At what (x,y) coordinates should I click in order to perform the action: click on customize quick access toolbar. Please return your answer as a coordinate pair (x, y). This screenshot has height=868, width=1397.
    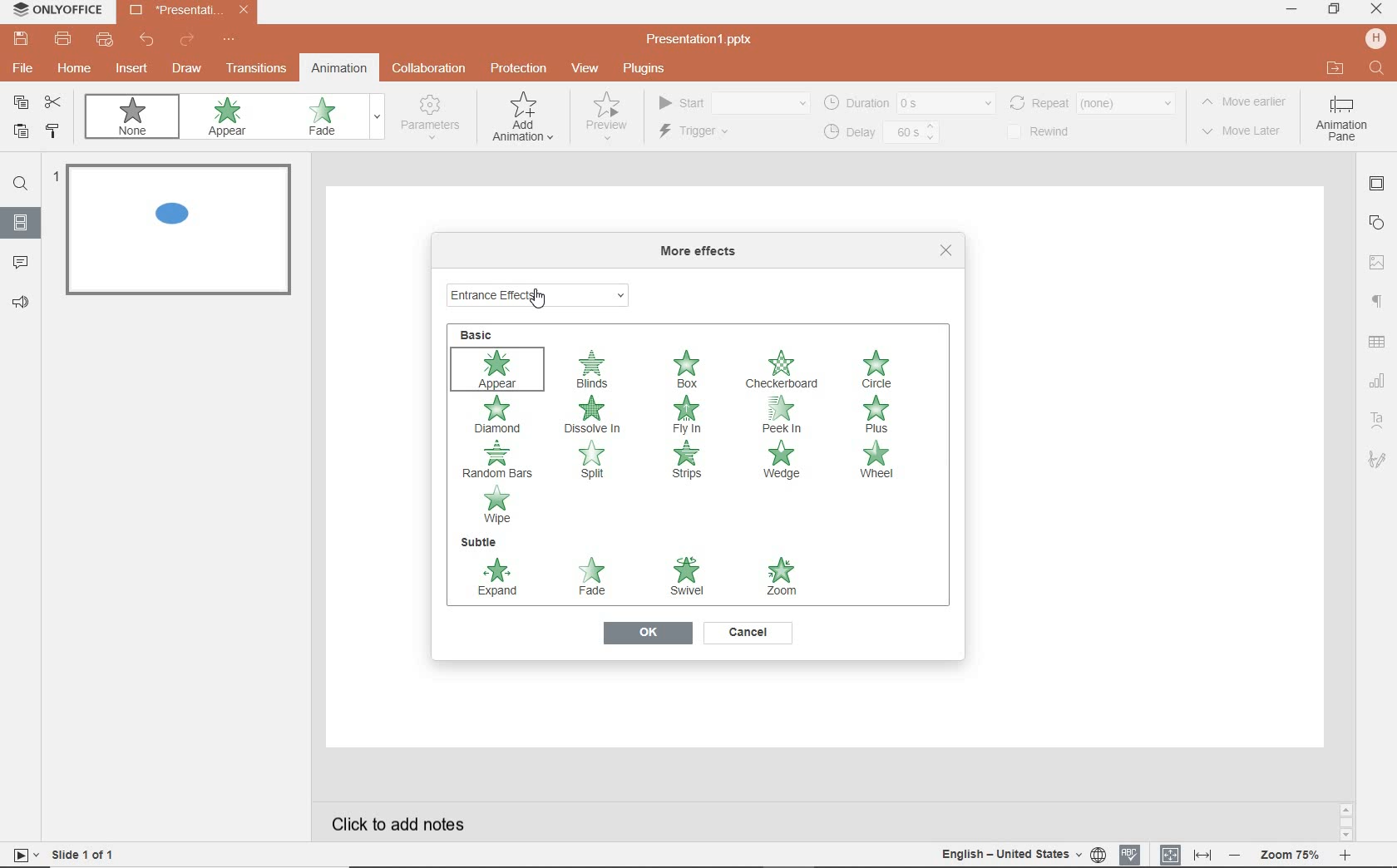
    Looking at the image, I should click on (230, 41).